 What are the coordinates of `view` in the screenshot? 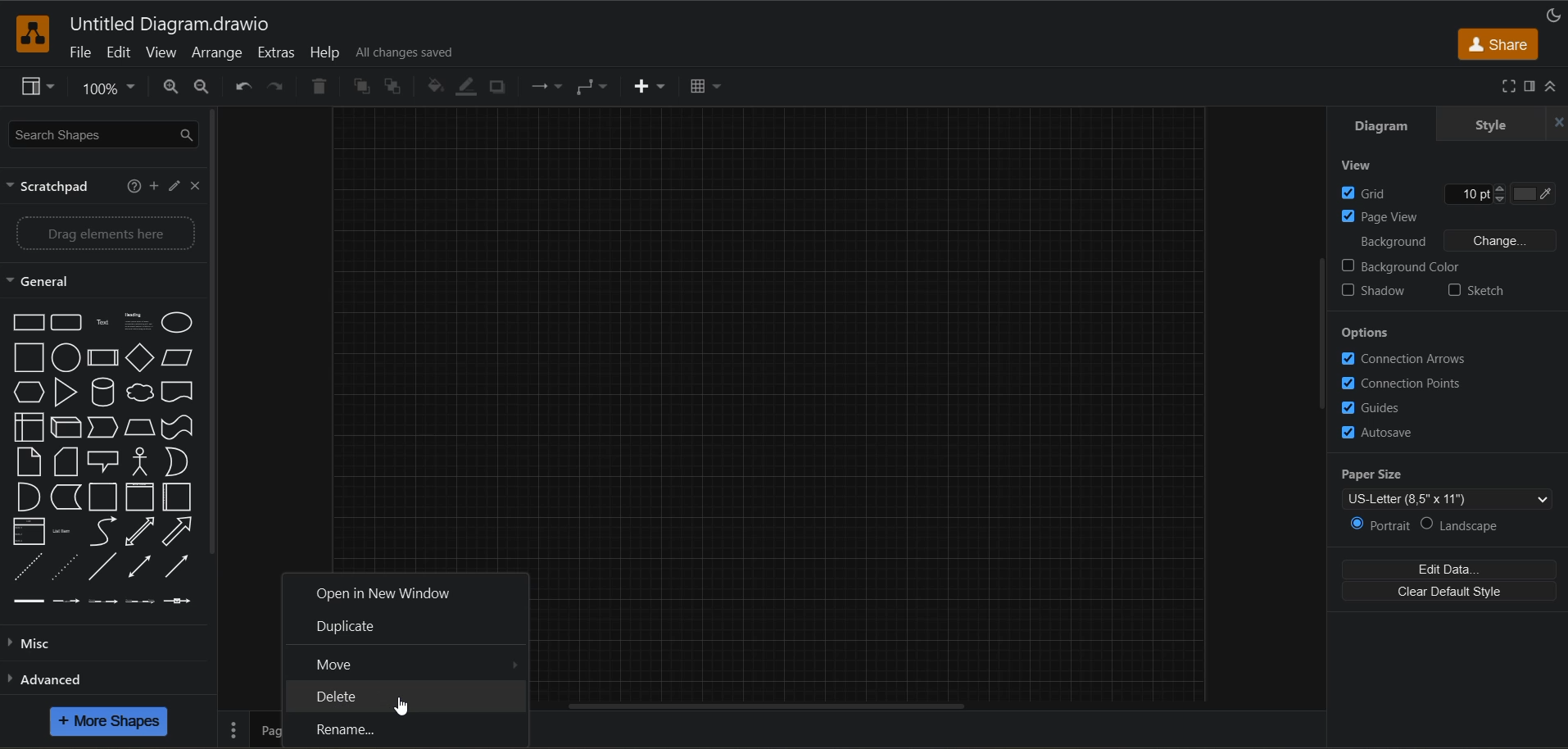 It's located at (1357, 167).